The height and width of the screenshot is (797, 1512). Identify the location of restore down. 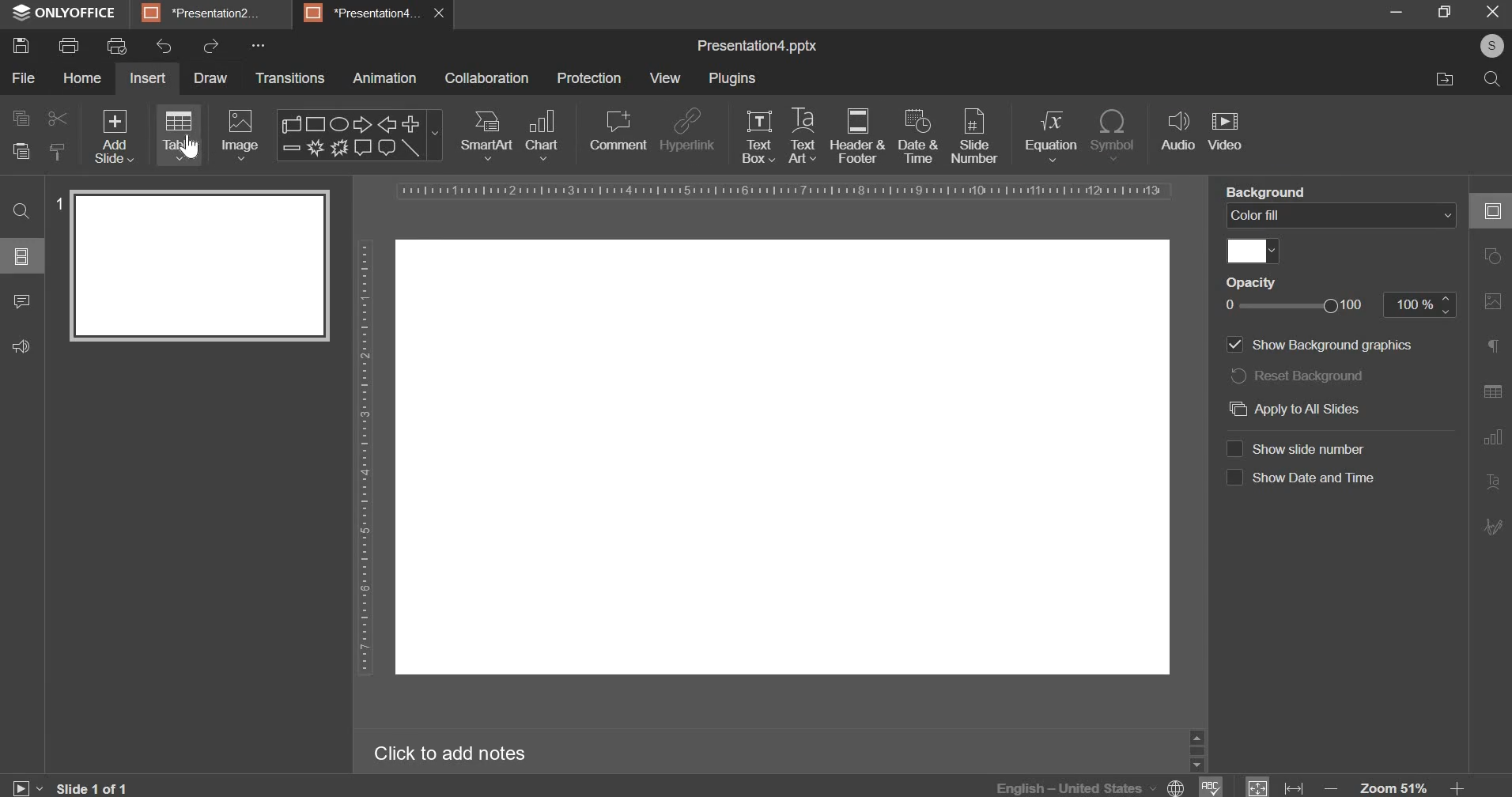
(1444, 11).